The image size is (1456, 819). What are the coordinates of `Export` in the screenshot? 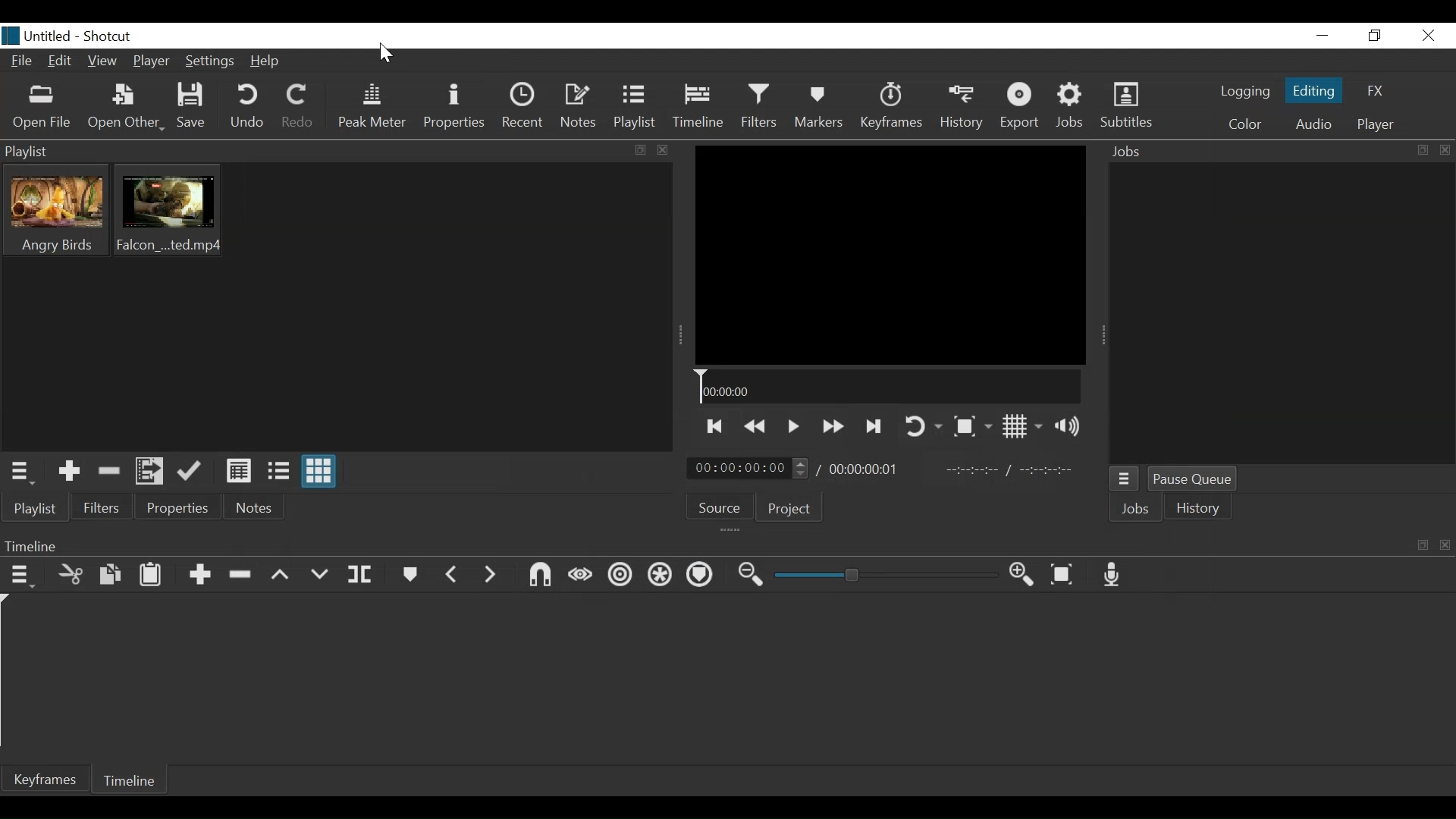 It's located at (1022, 106).